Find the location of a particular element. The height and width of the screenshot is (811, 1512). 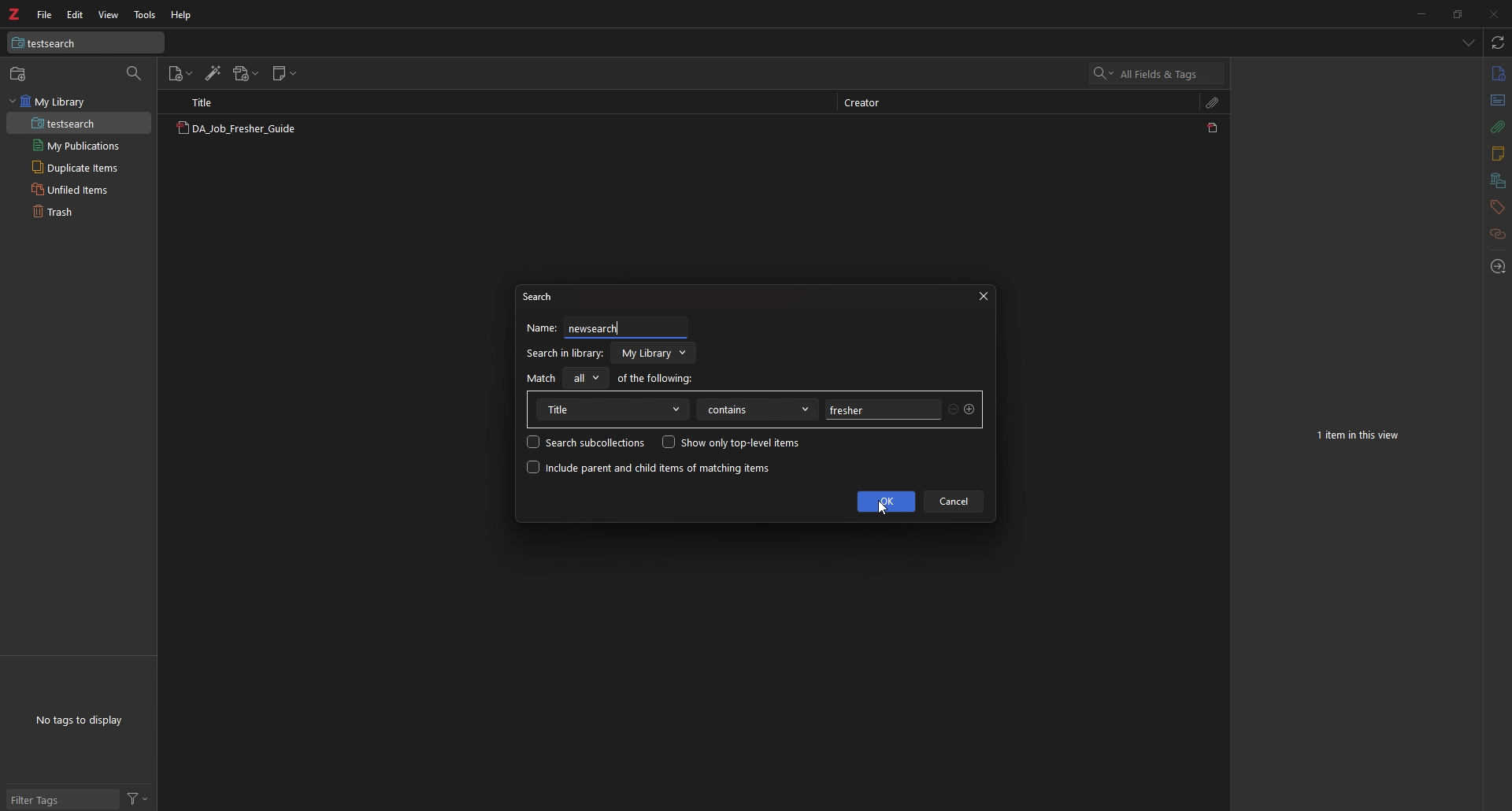

search subcollections is located at coordinates (586, 442).